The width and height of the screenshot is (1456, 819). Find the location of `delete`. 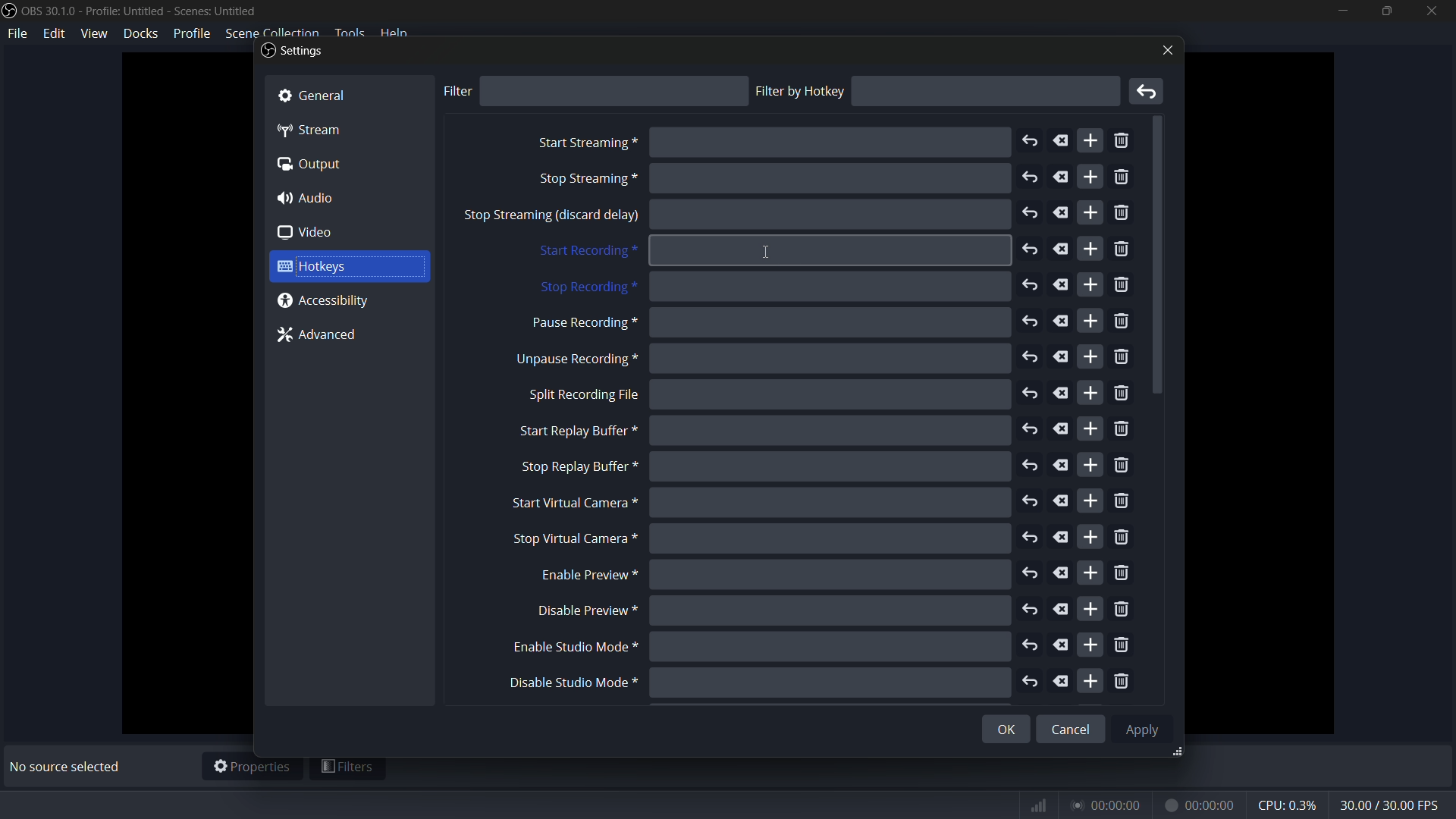

delete is located at coordinates (1062, 356).